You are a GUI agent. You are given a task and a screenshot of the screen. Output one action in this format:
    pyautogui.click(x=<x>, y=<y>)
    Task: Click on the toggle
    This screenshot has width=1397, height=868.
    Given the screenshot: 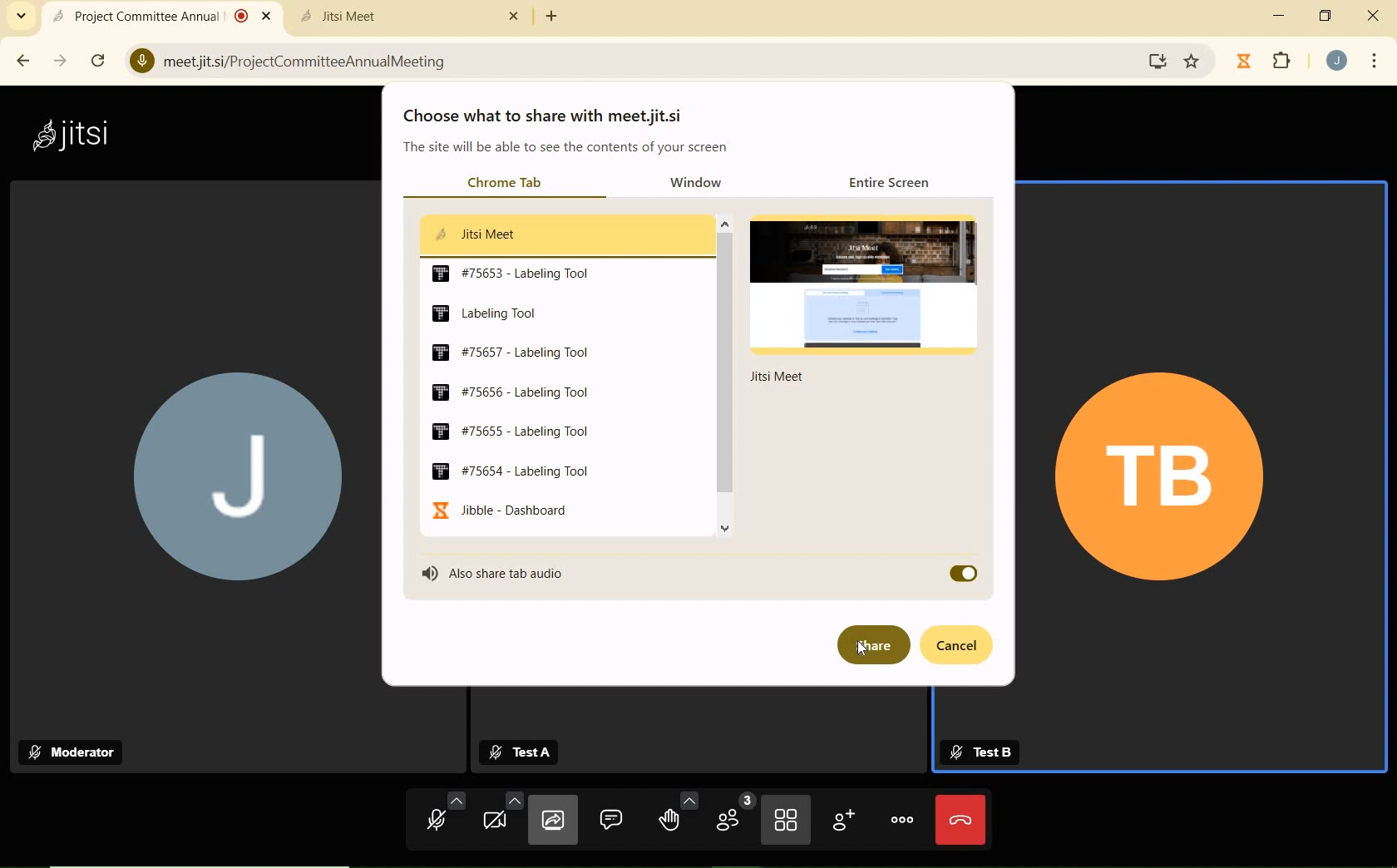 What is the action you would take?
    pyautogui.click(x=962, y=572)
    